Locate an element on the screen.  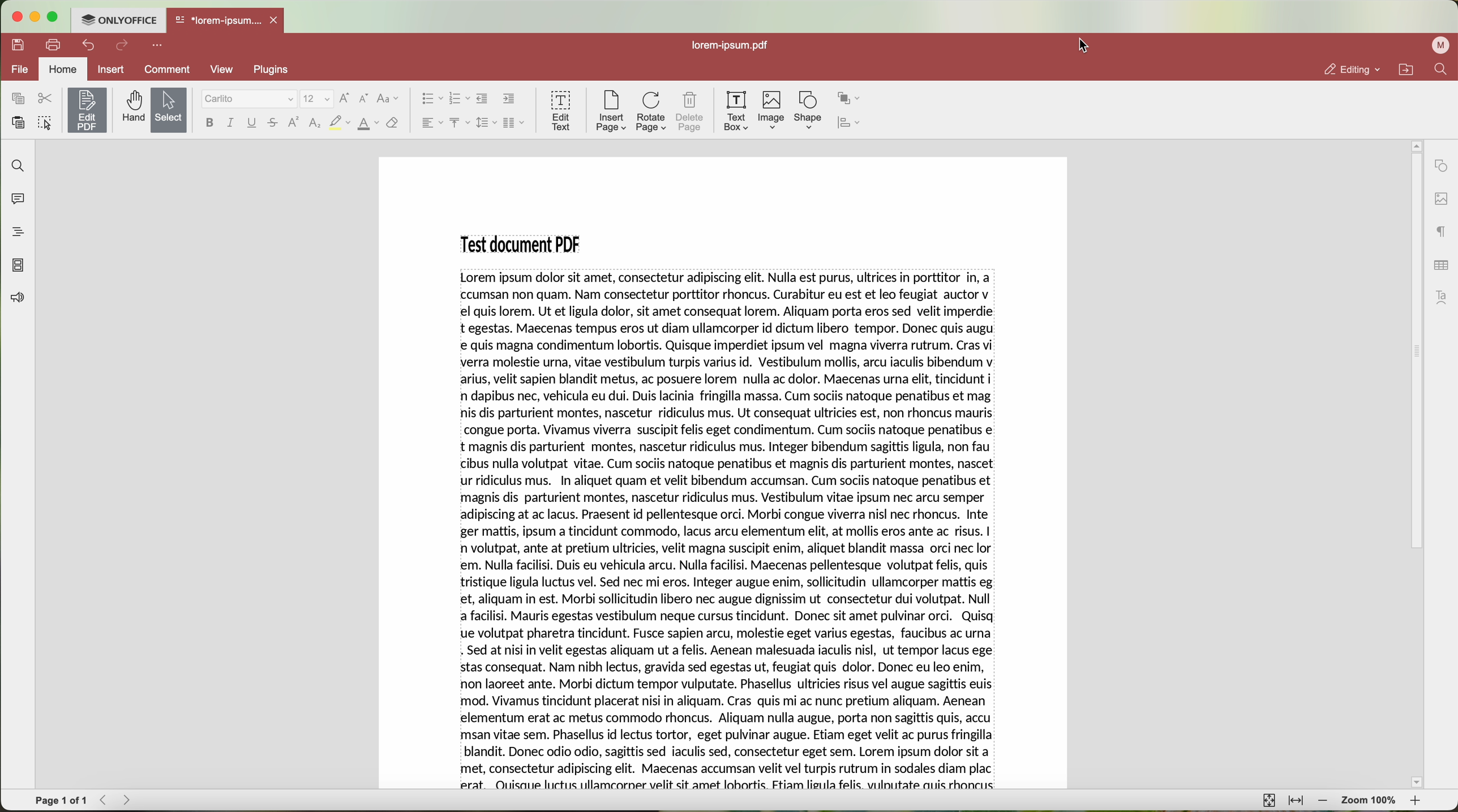
paste is located at coordinates (18, 122).